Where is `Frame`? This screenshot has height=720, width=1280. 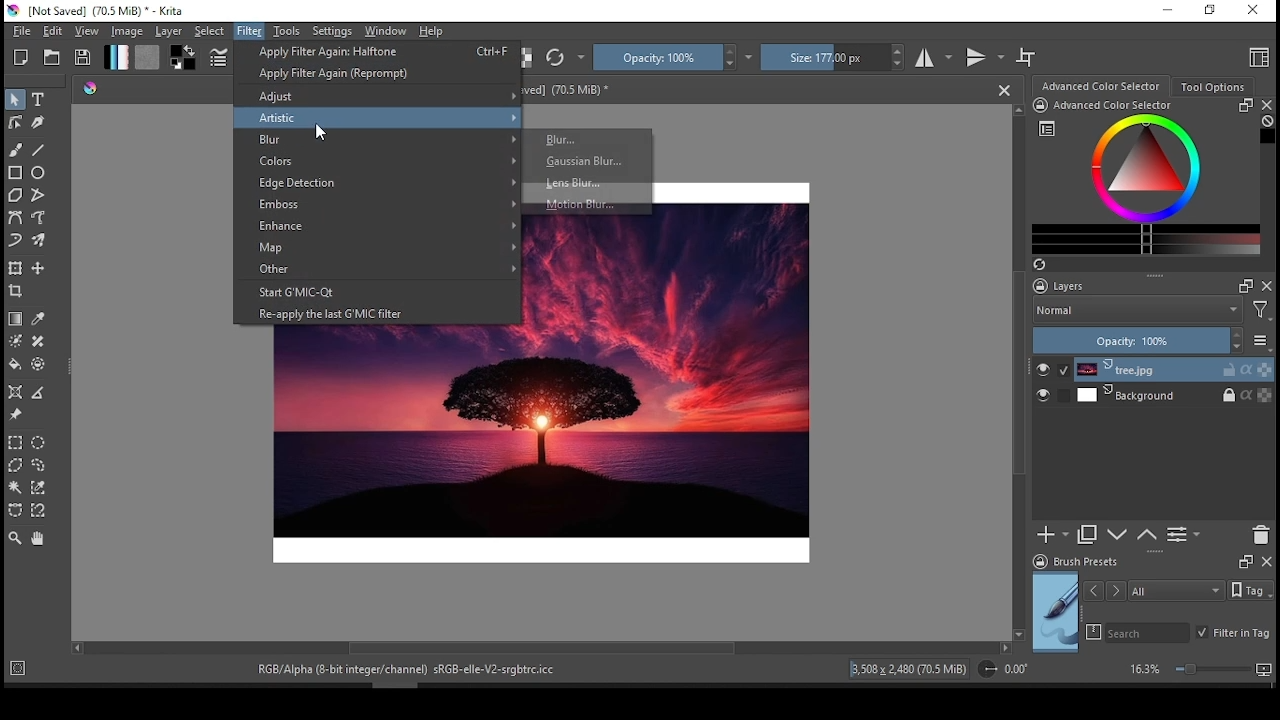 Frame is located at coordinates (1241, 562).